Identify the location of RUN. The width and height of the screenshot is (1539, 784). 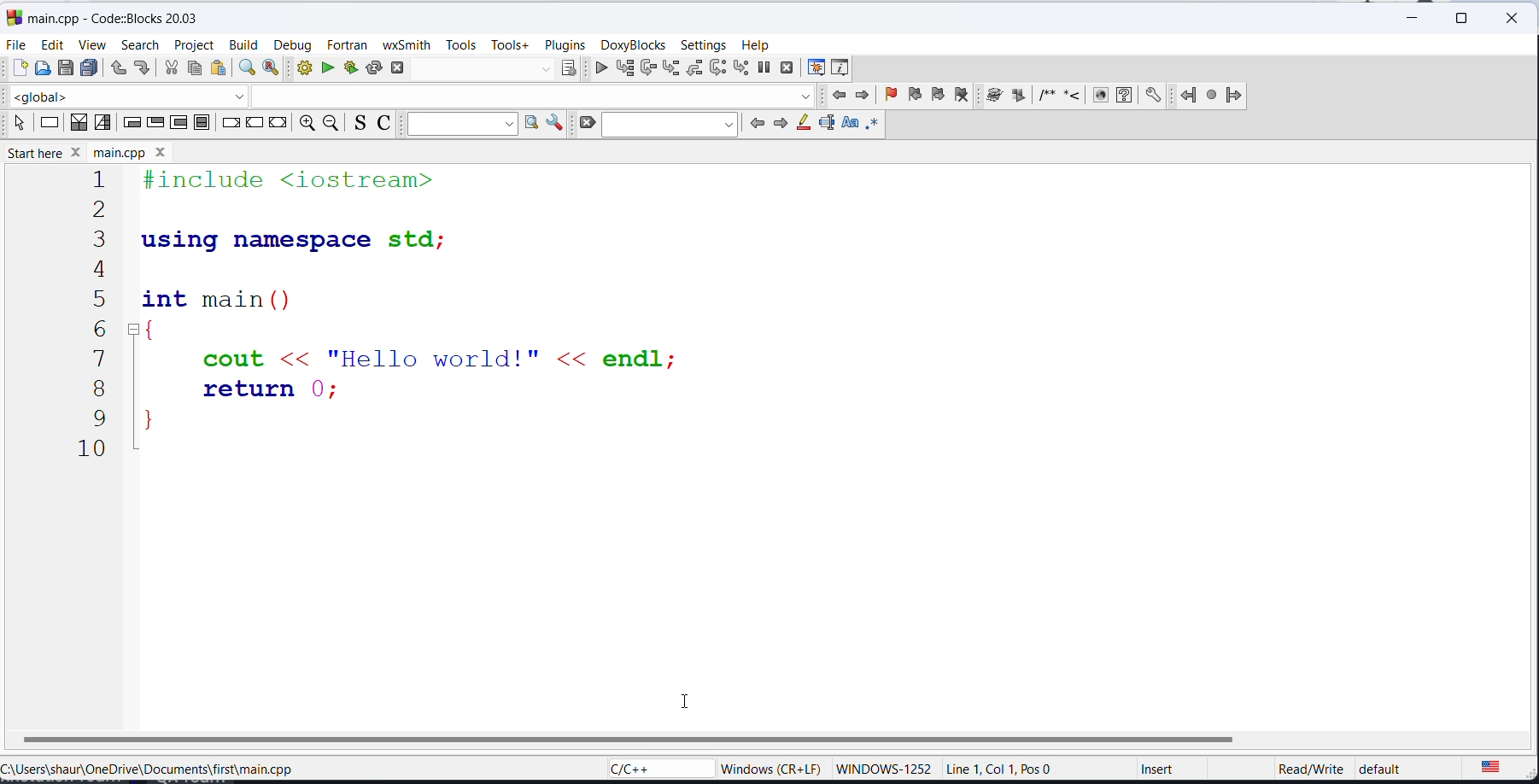
(328, 69).